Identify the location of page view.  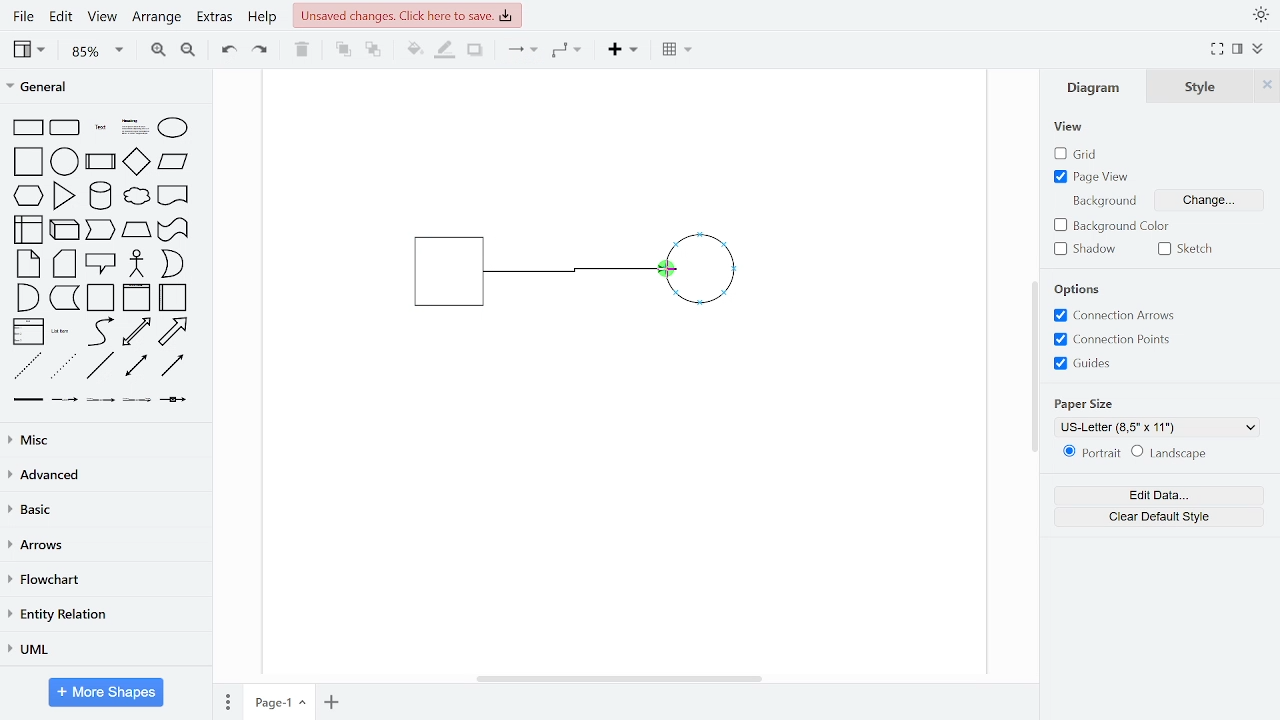
(1094, 176).